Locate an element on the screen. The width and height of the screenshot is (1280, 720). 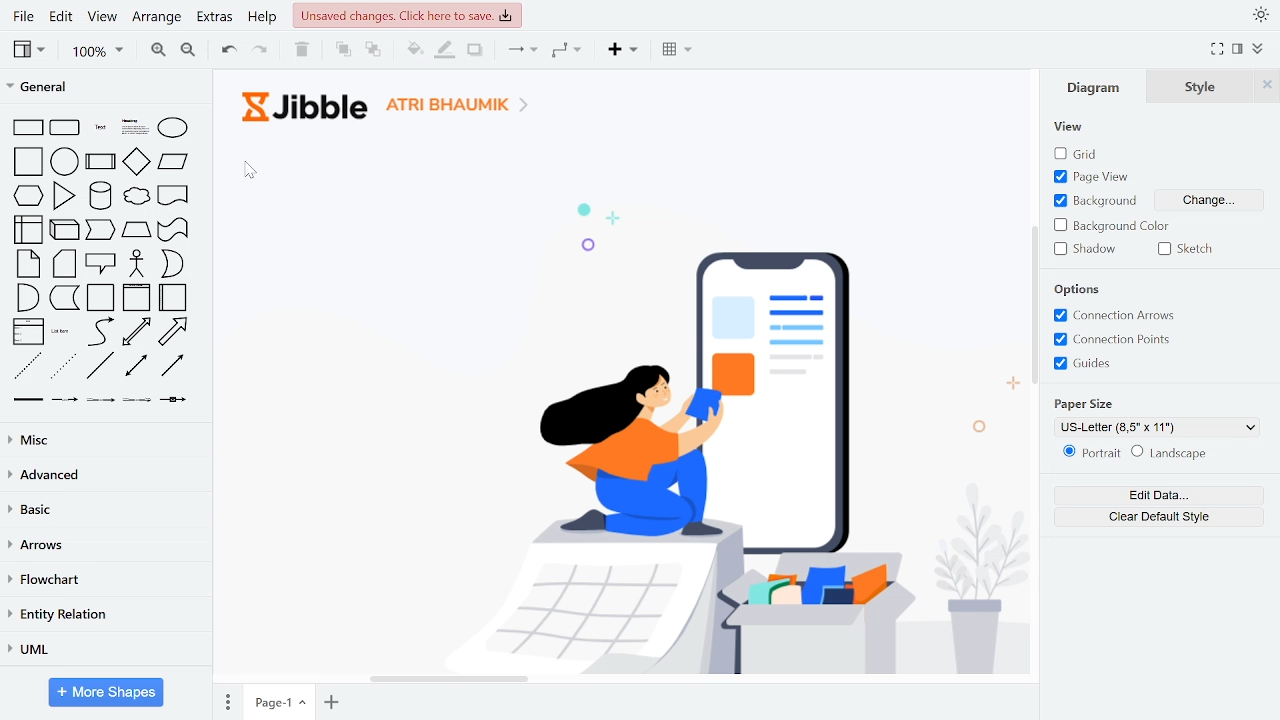
entity relation is located at coordinates (102, 616).